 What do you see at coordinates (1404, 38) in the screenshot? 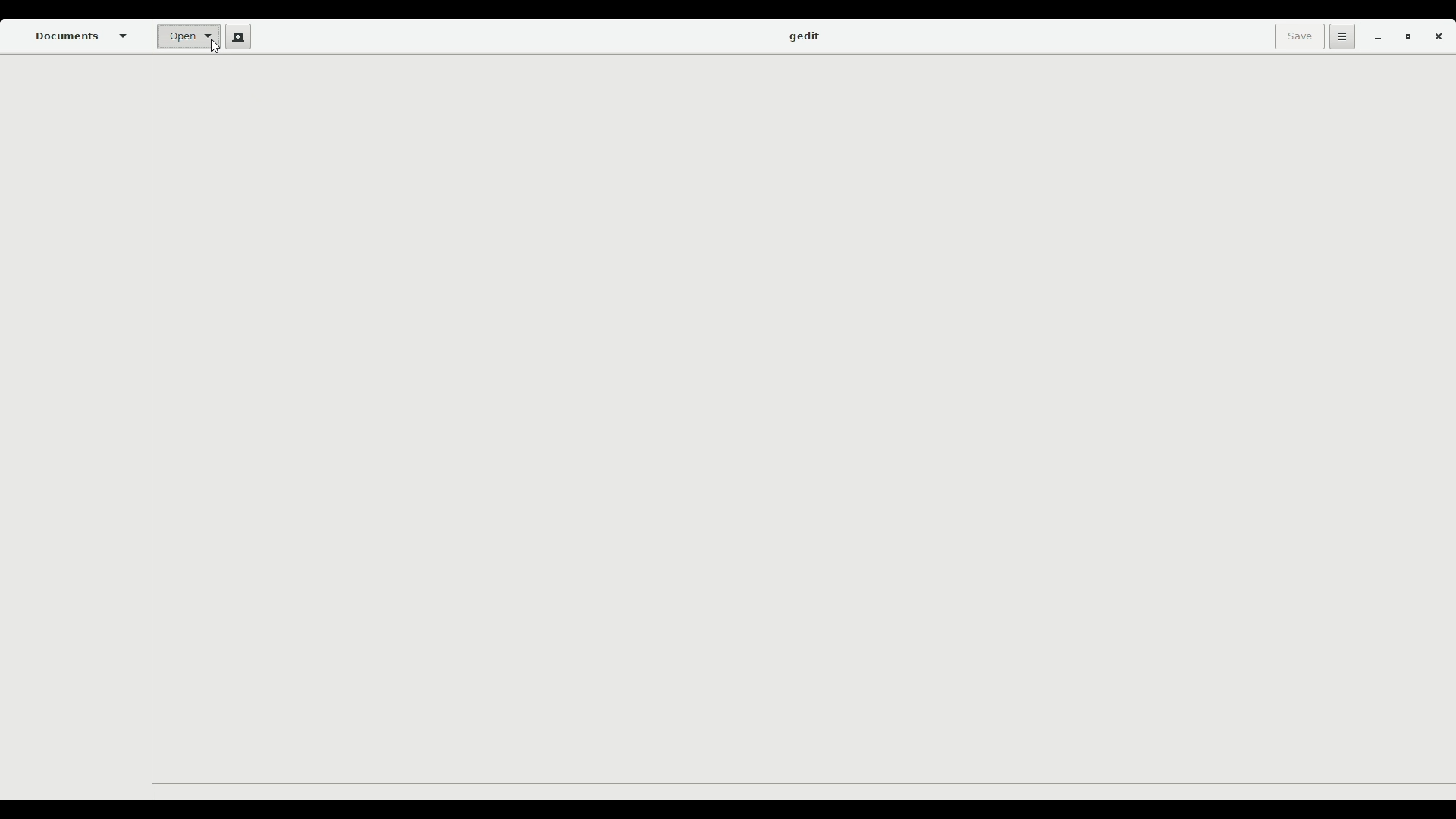
I see `Restore` at bounding box center [1404, 38].